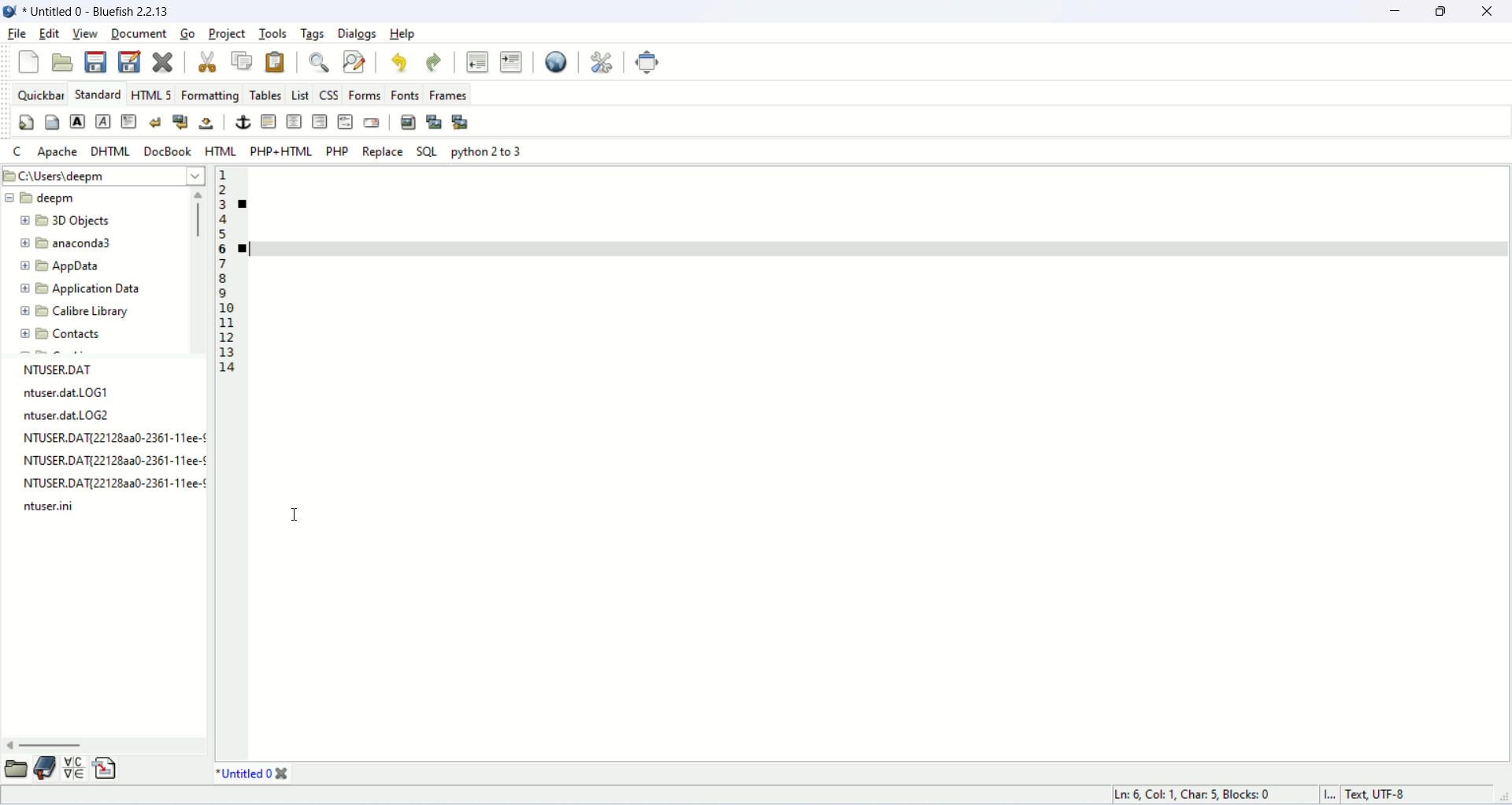 The height and width of the screenshot is (805, 1512). Describe the element at coordinates (319, 64) in the screenshot. I see `find bar` at that location.